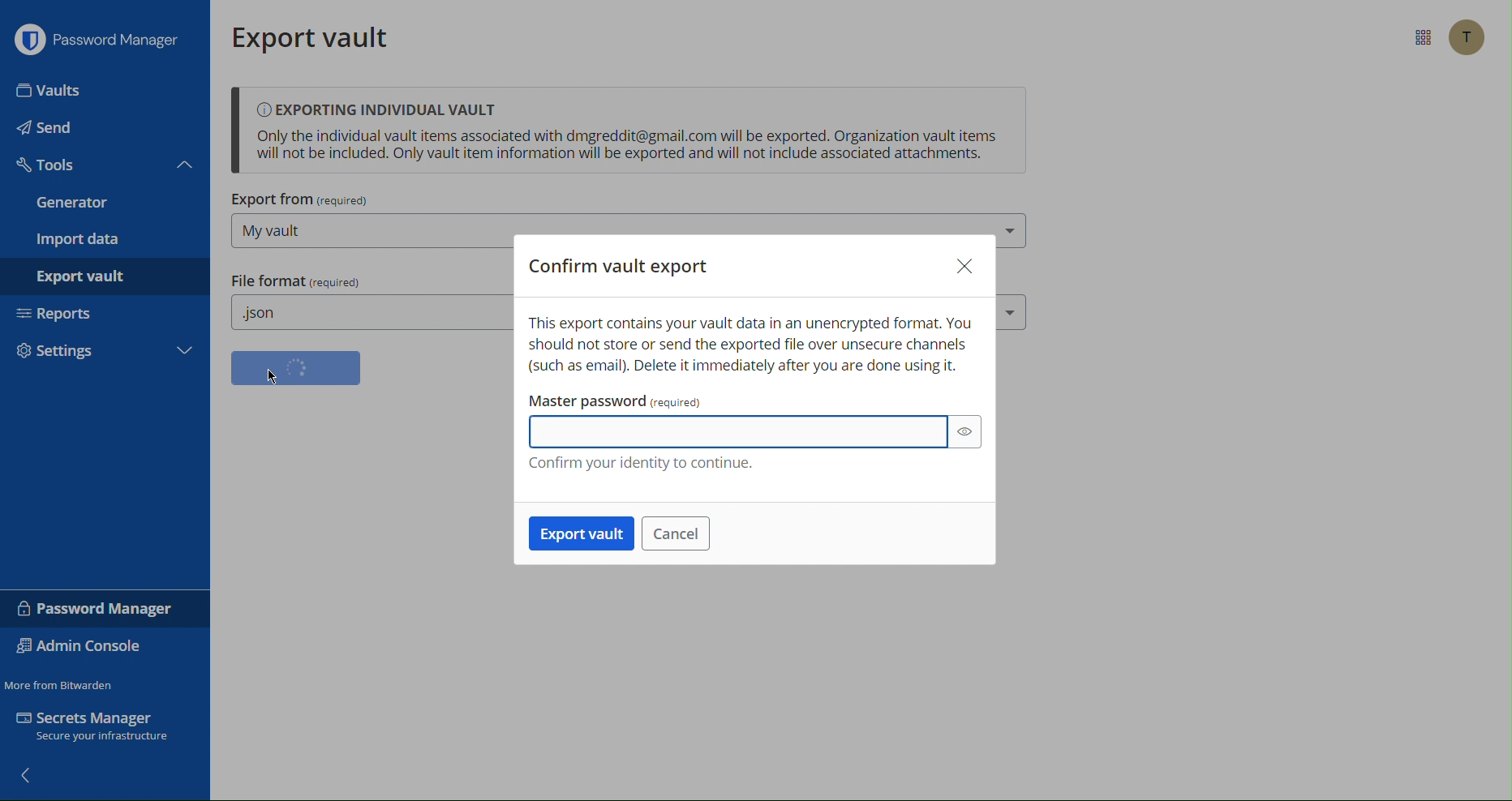  What do you see at coordinates (617, 268) in the screenshot?
I see `Confirm vault export` at bounding box center [617, 268].